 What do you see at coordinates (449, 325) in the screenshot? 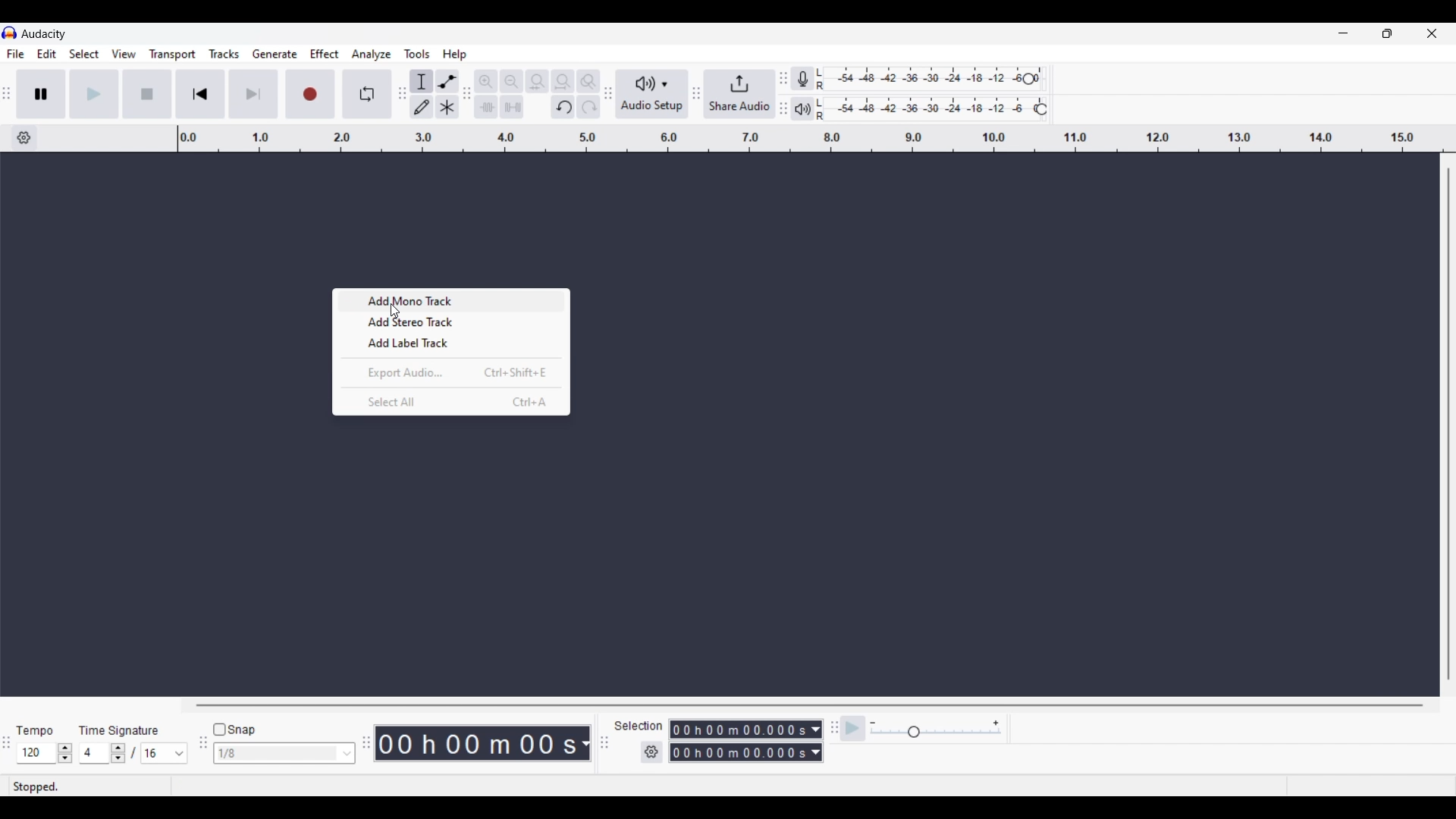
I see `Add Stereo Track` at bounding box center [449, 325].